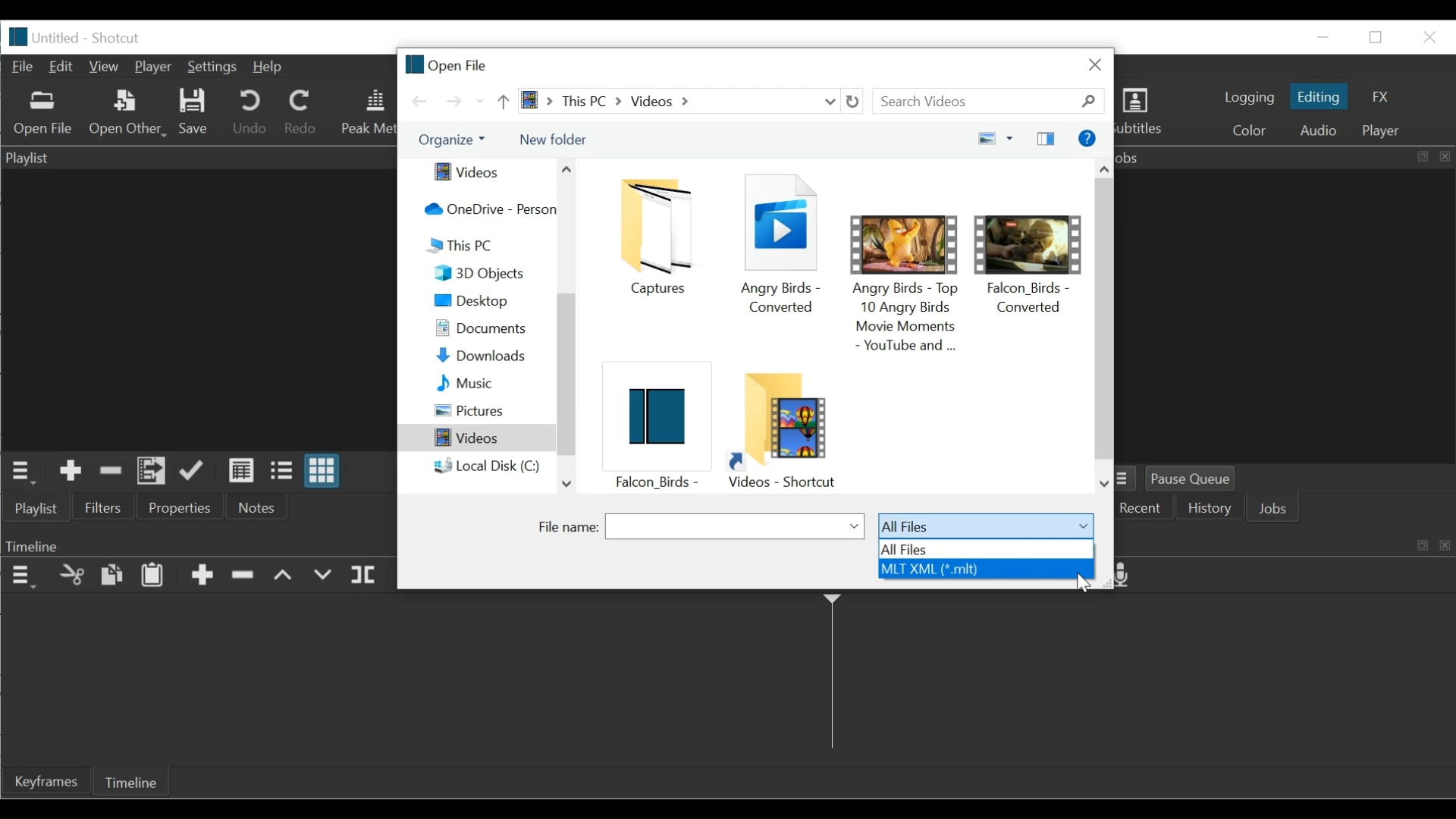  Describe the element at coordinates (666, 101) in the screenshot. I see `> this PC > Videos >` at that location.